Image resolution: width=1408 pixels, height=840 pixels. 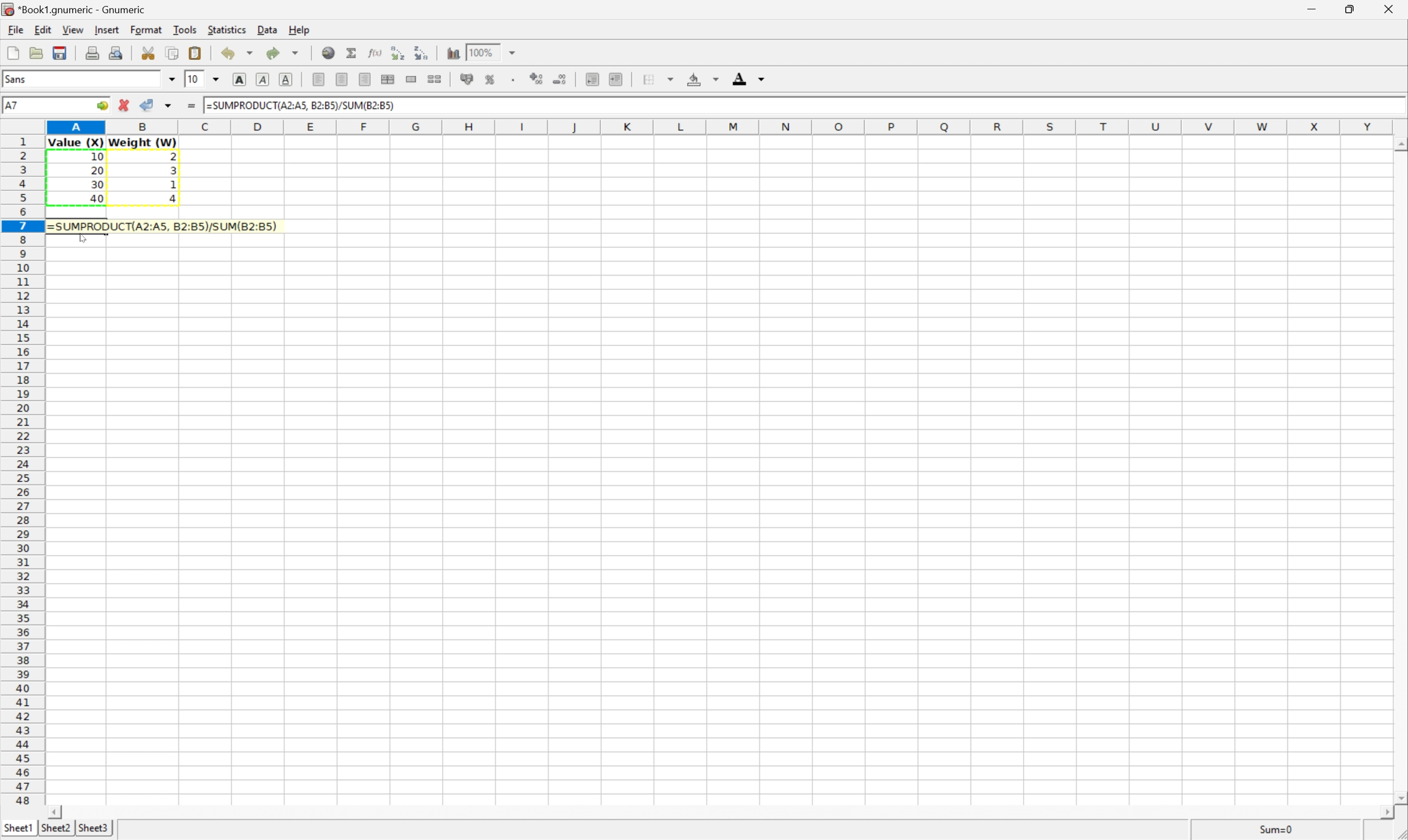 I want to click on Paste clipboard, so click(x=196, y=51).